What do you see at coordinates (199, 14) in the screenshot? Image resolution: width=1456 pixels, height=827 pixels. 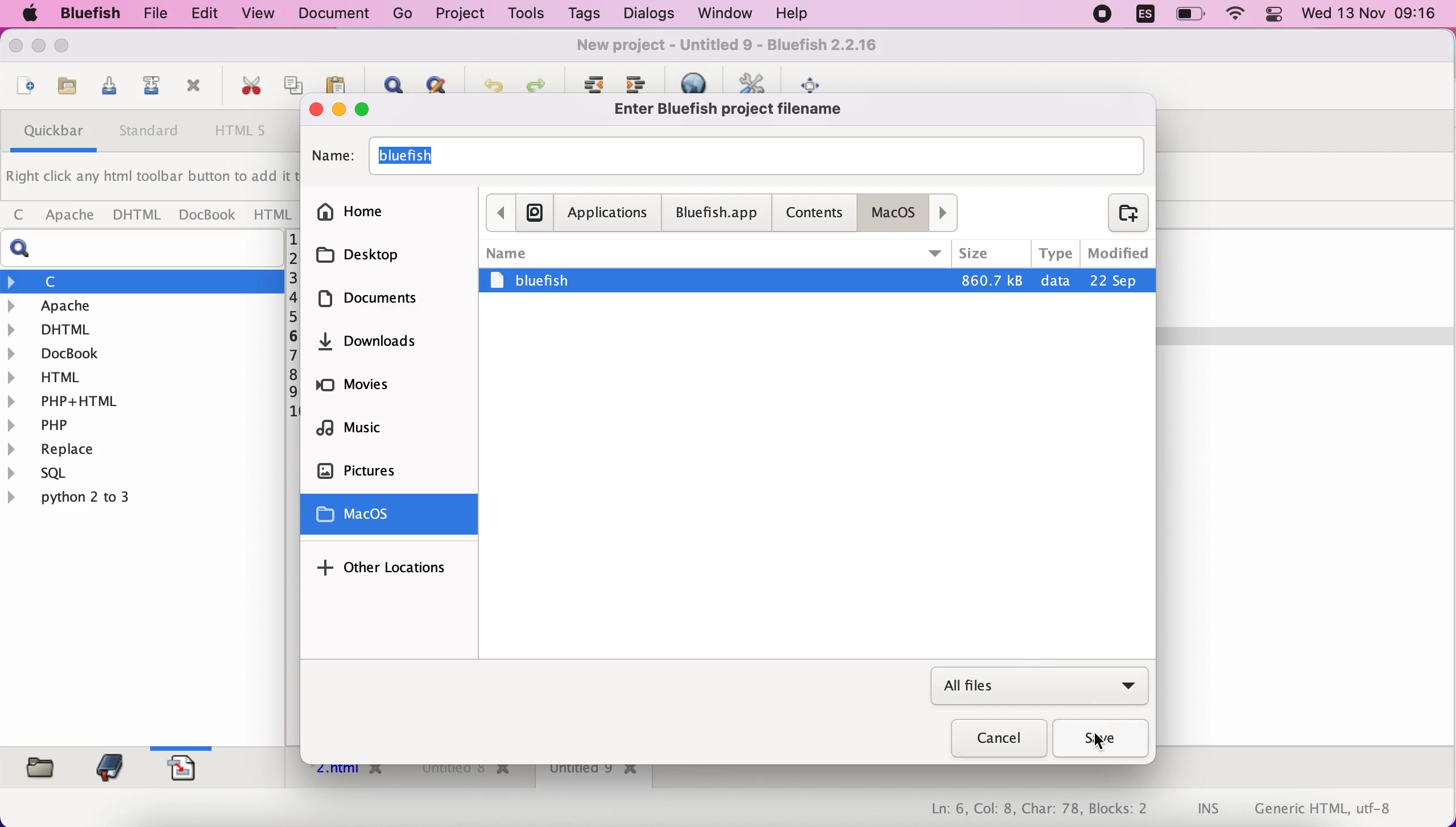 I see `edit` at bounding box center [199, 14].